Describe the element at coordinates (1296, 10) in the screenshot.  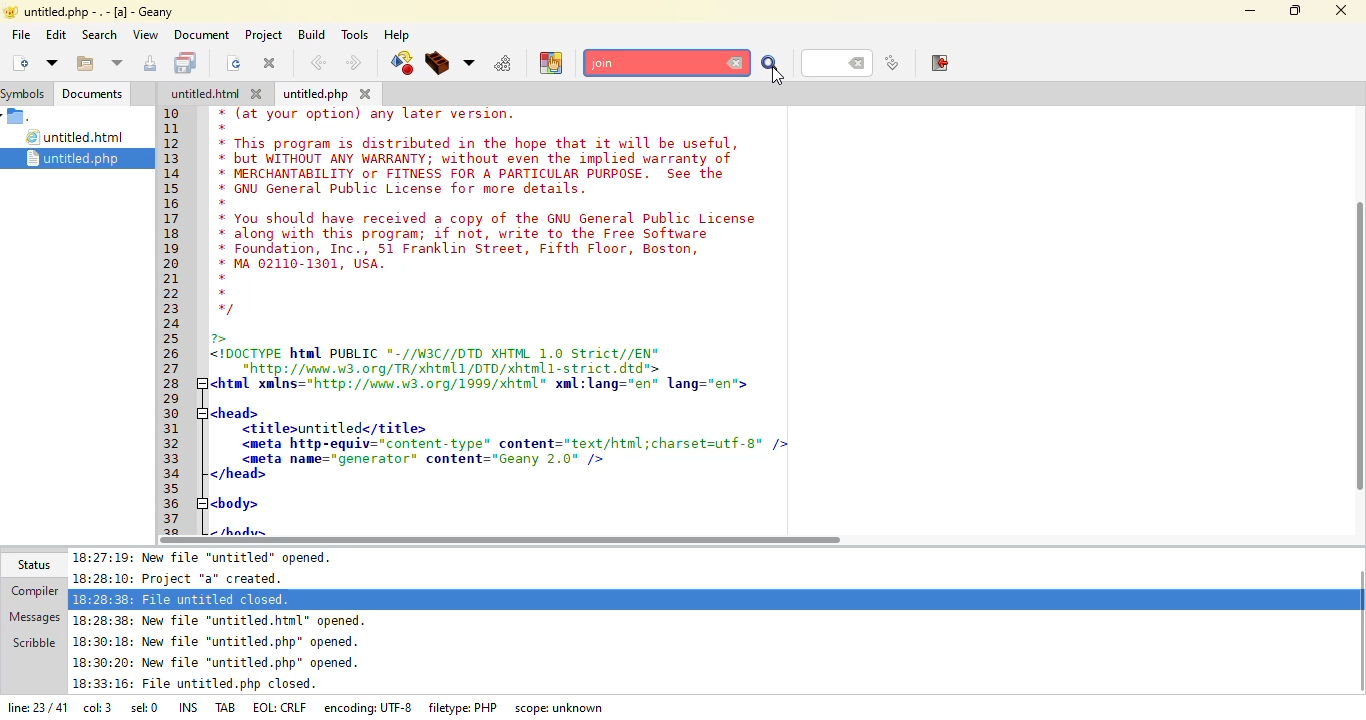
I see `maximize` at that location.